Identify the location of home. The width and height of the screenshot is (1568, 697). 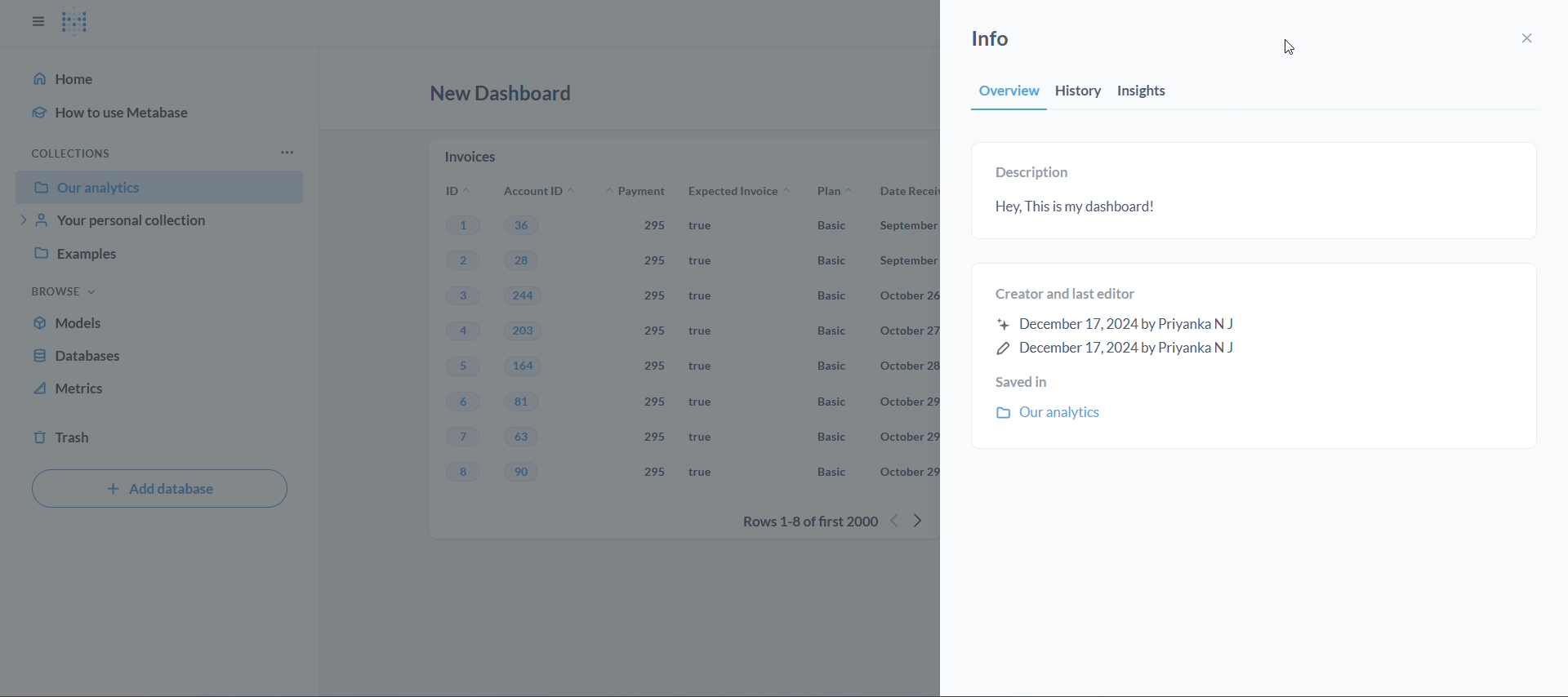
(70, 80).